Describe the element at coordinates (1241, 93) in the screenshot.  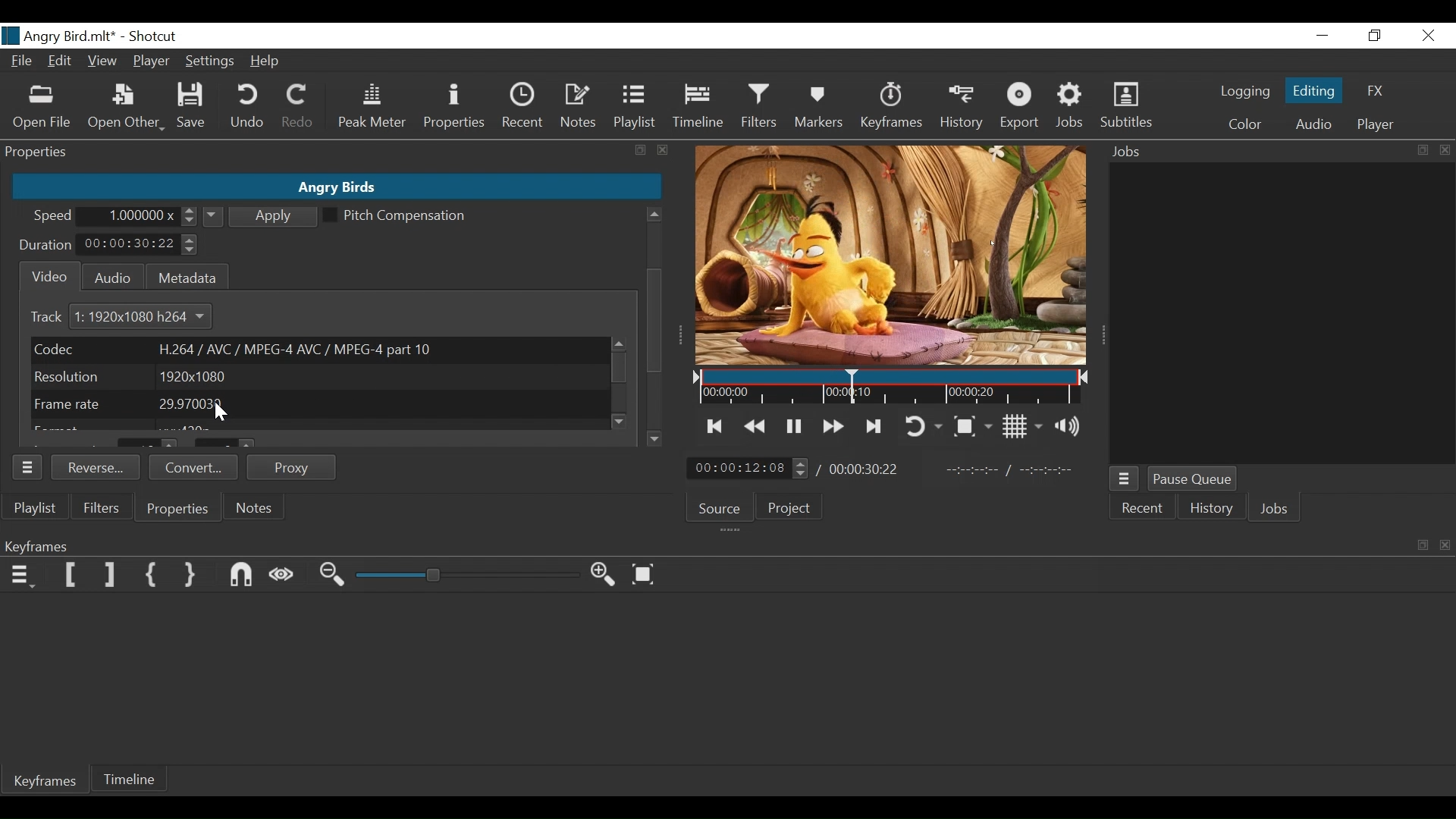
I see `logging` at that location.